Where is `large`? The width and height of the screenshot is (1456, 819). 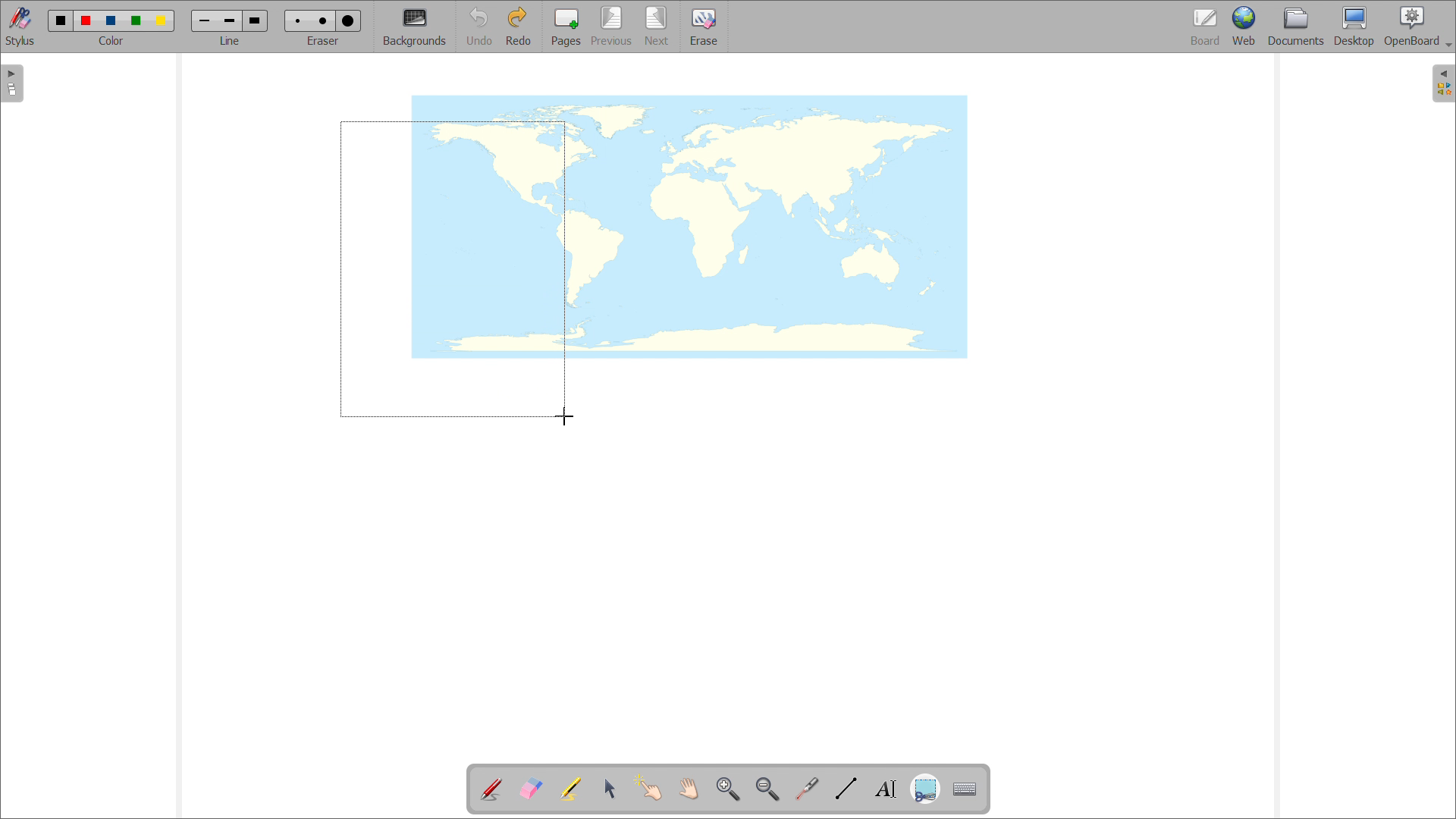
large is located at coordinates (254, 20).